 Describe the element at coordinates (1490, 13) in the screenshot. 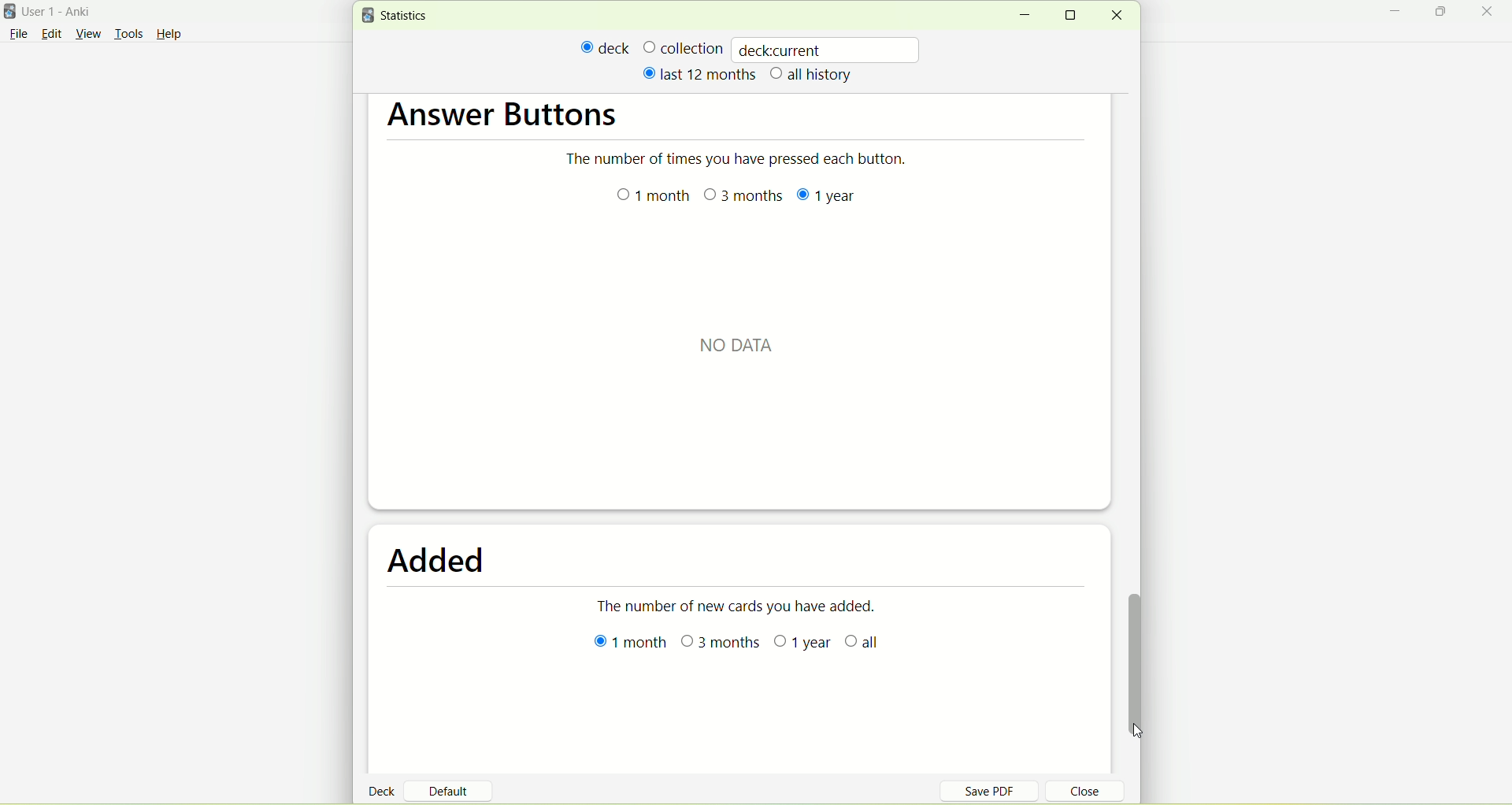

I see `close` at that location.